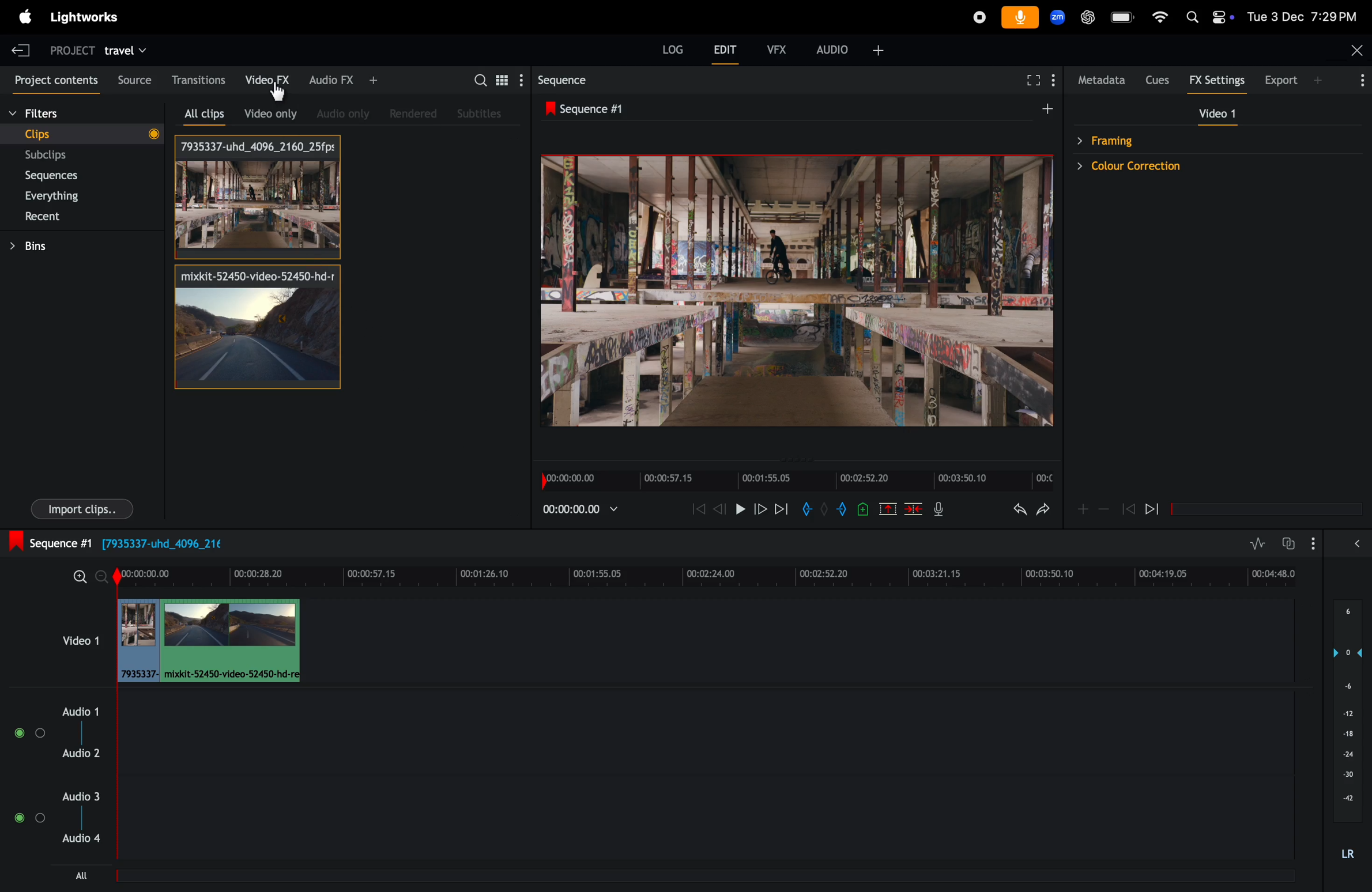 This screenshot has width=1372, height=892. What do you see at coordinates (1299, 539) in the screenshot?
I see `toggle auto track sync` at bounding box center [1299, 539].